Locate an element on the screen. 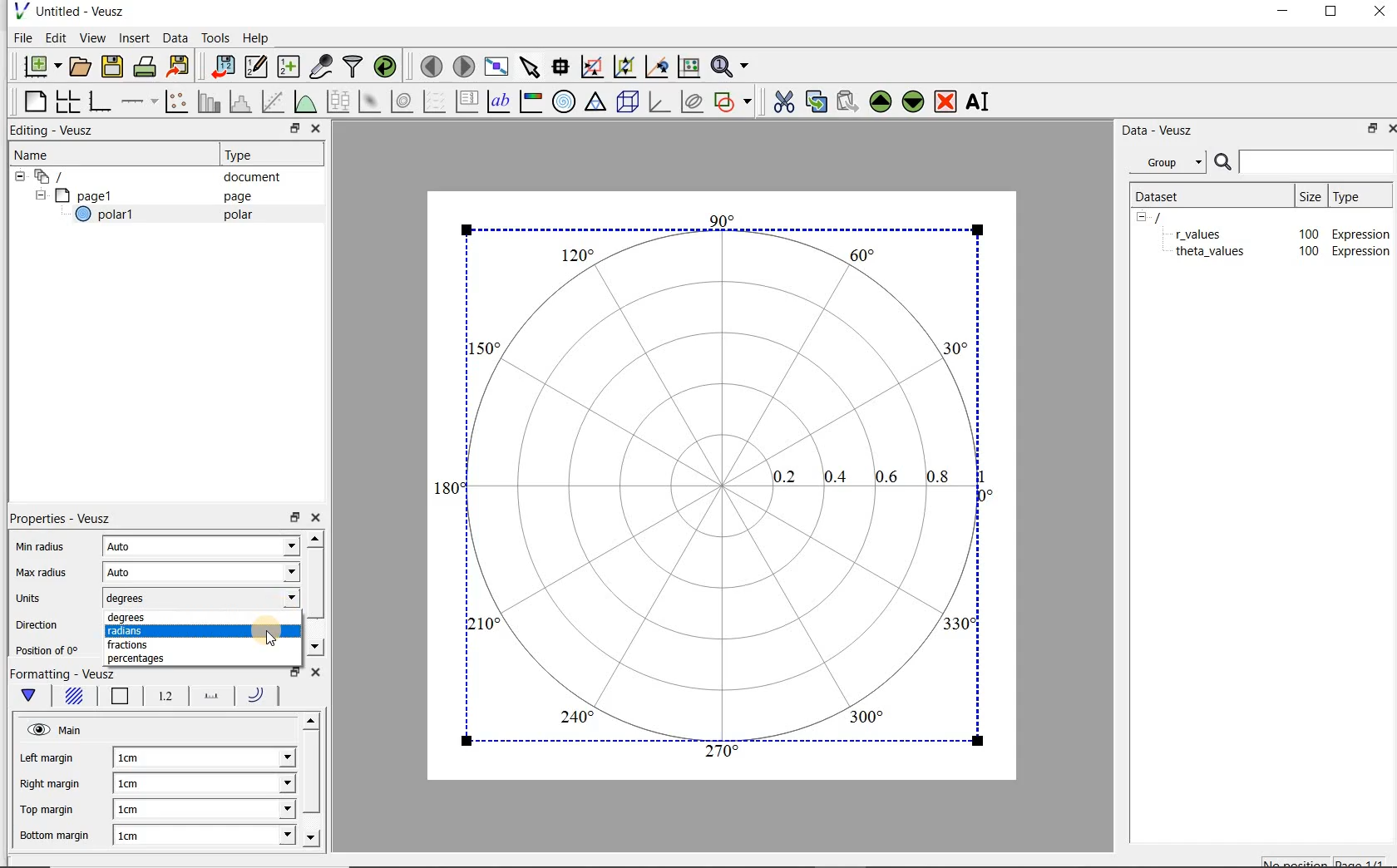 The height and width of the screenshot is (868, 1397). Expression is located at coordinates (1358, 230).